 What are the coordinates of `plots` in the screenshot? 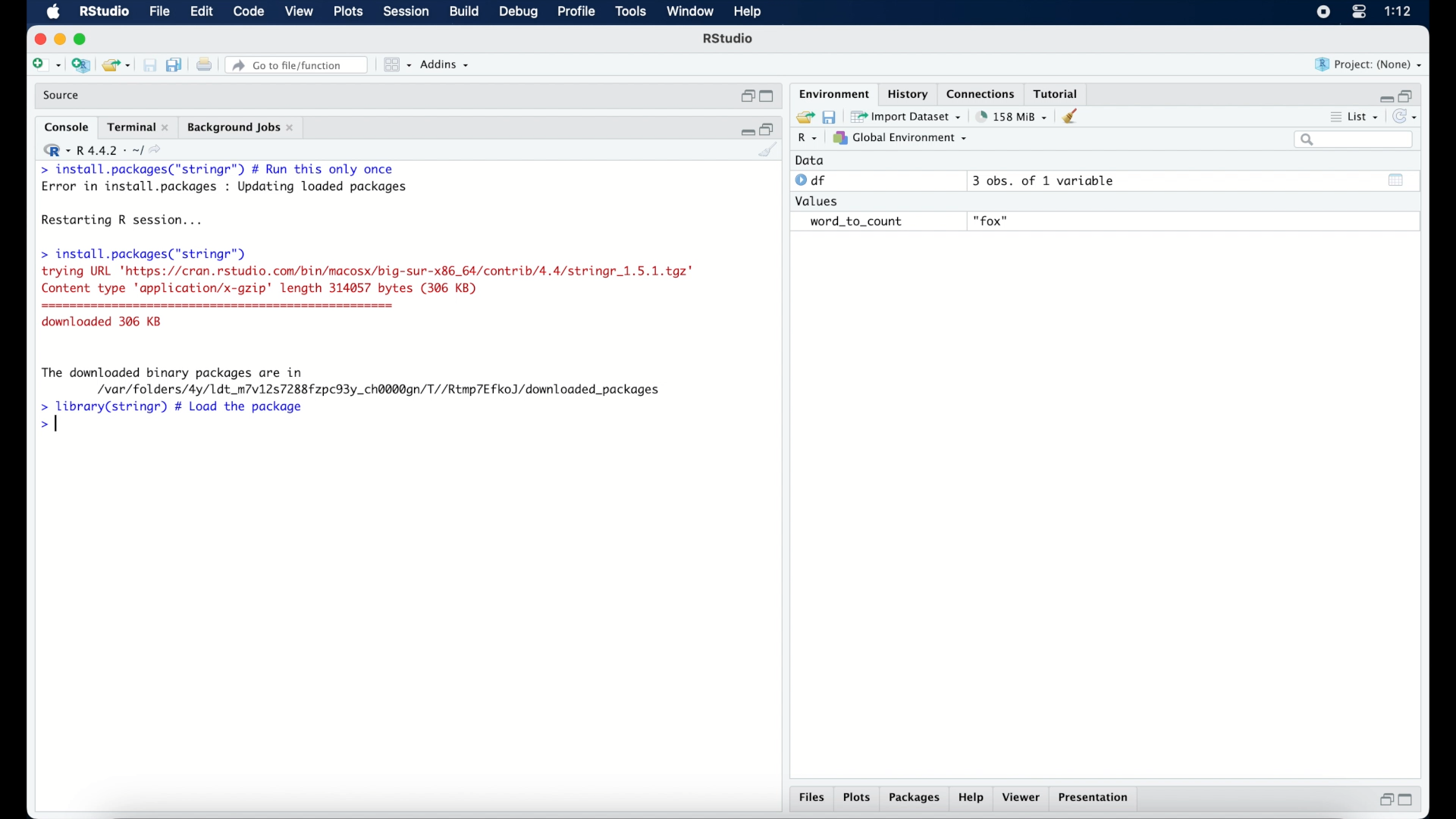 It's located at (350, 12).